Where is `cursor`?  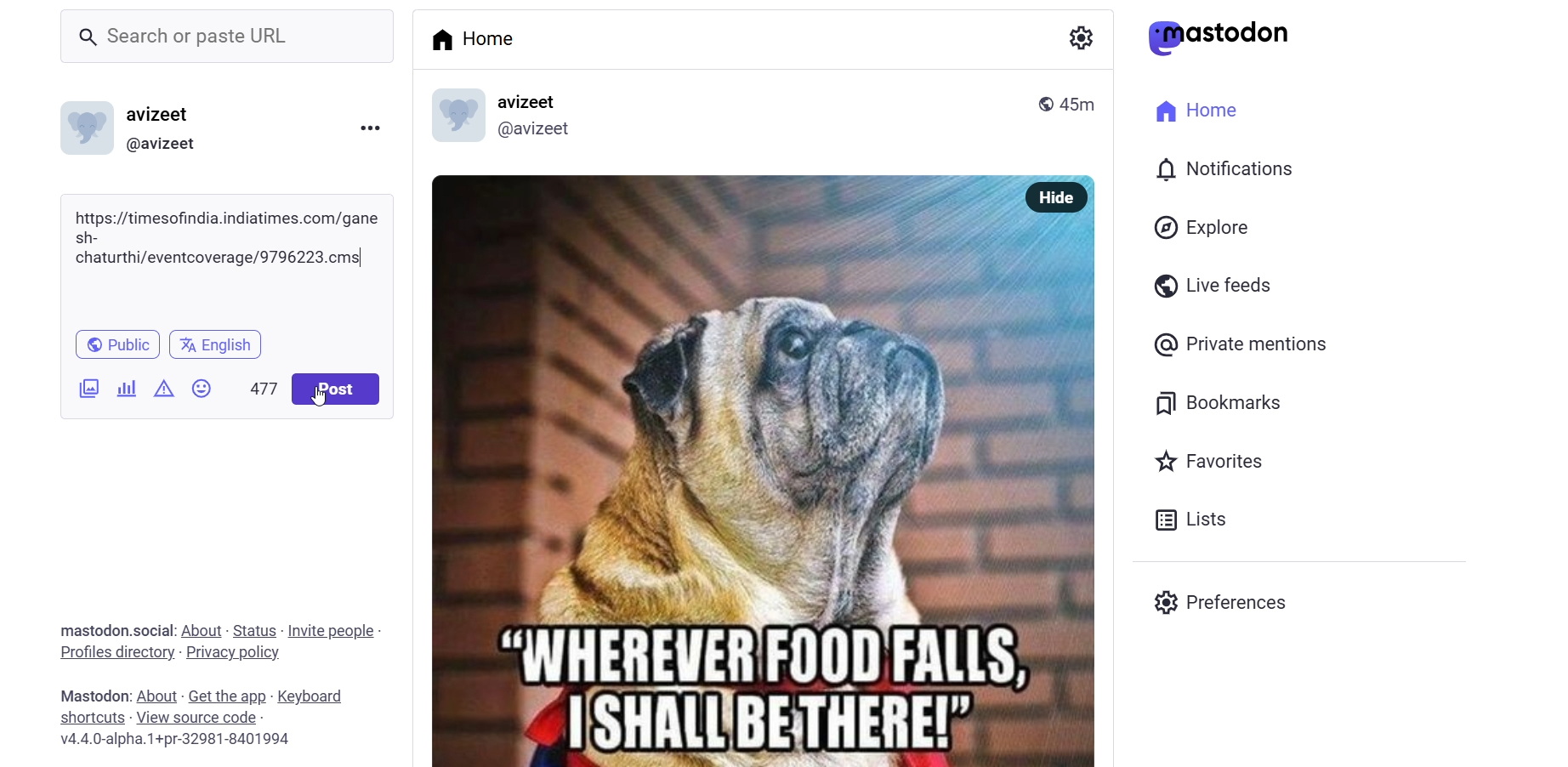 cursor is located at coordinates (314, 410).